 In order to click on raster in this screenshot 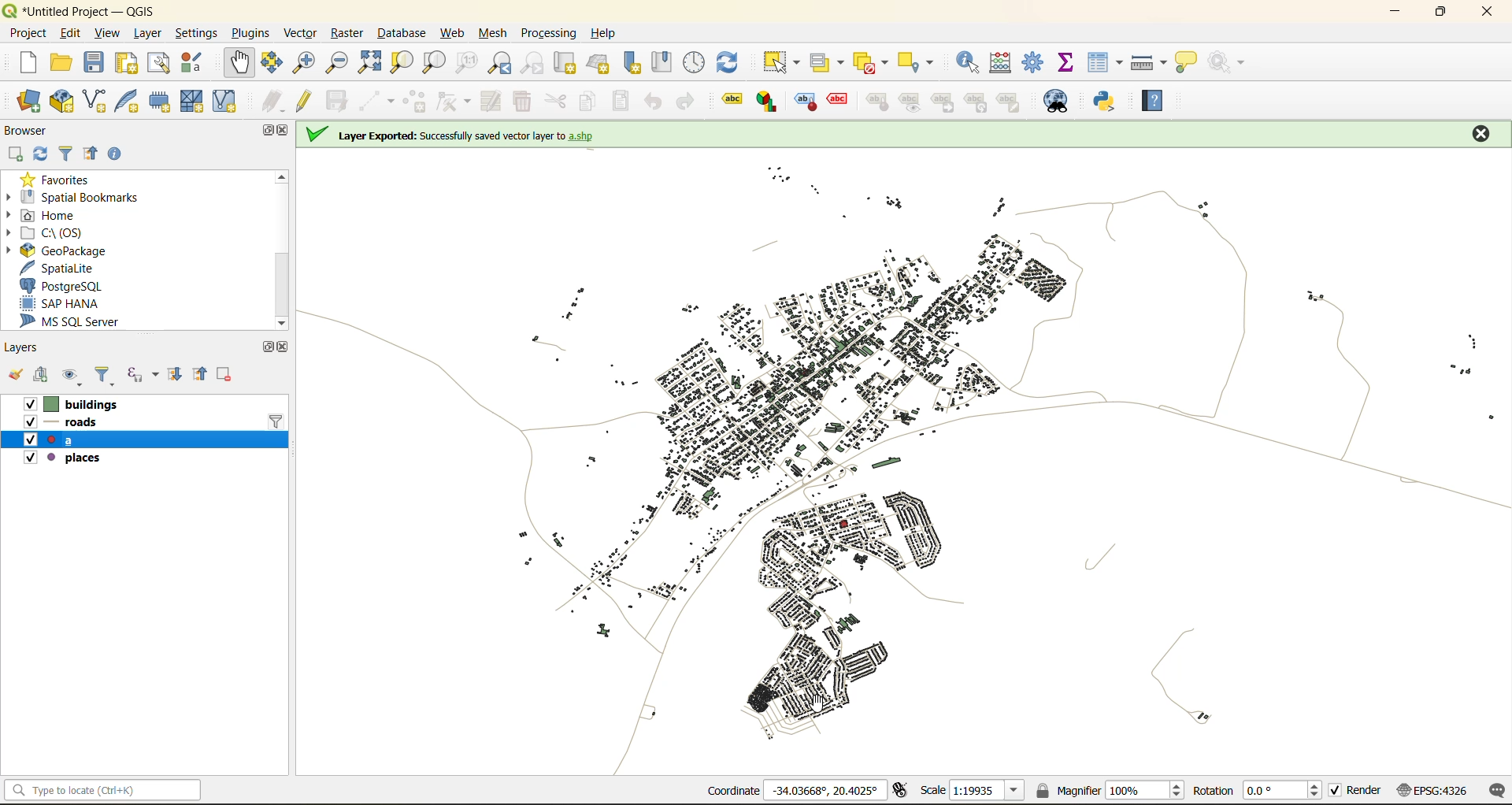, I will do `click(349, 35)`.